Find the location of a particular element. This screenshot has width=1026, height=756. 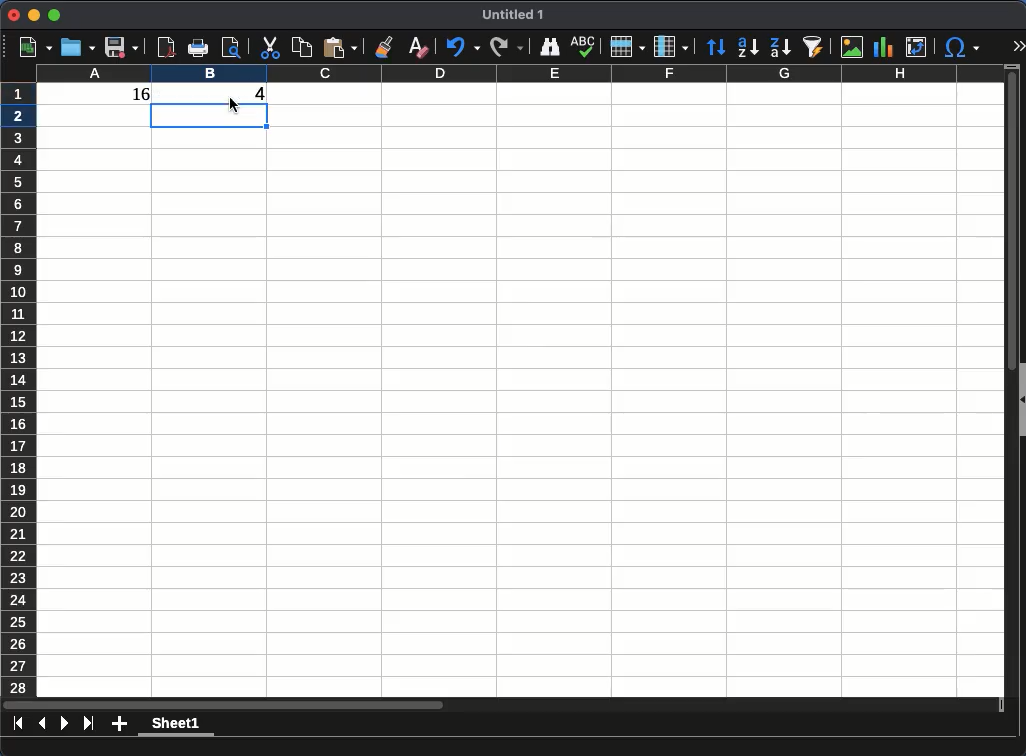

copy is located at coordinates (301, 47).